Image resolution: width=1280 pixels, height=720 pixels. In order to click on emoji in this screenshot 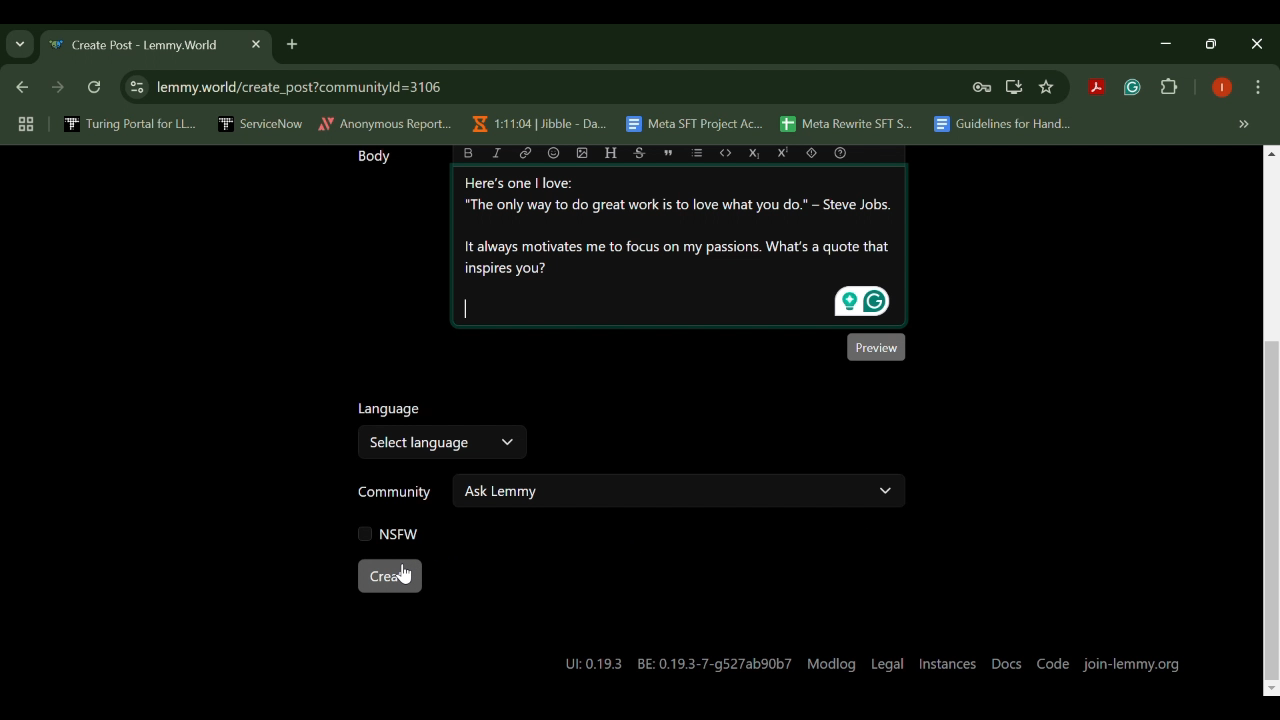, I will do `click(554, 152)`.